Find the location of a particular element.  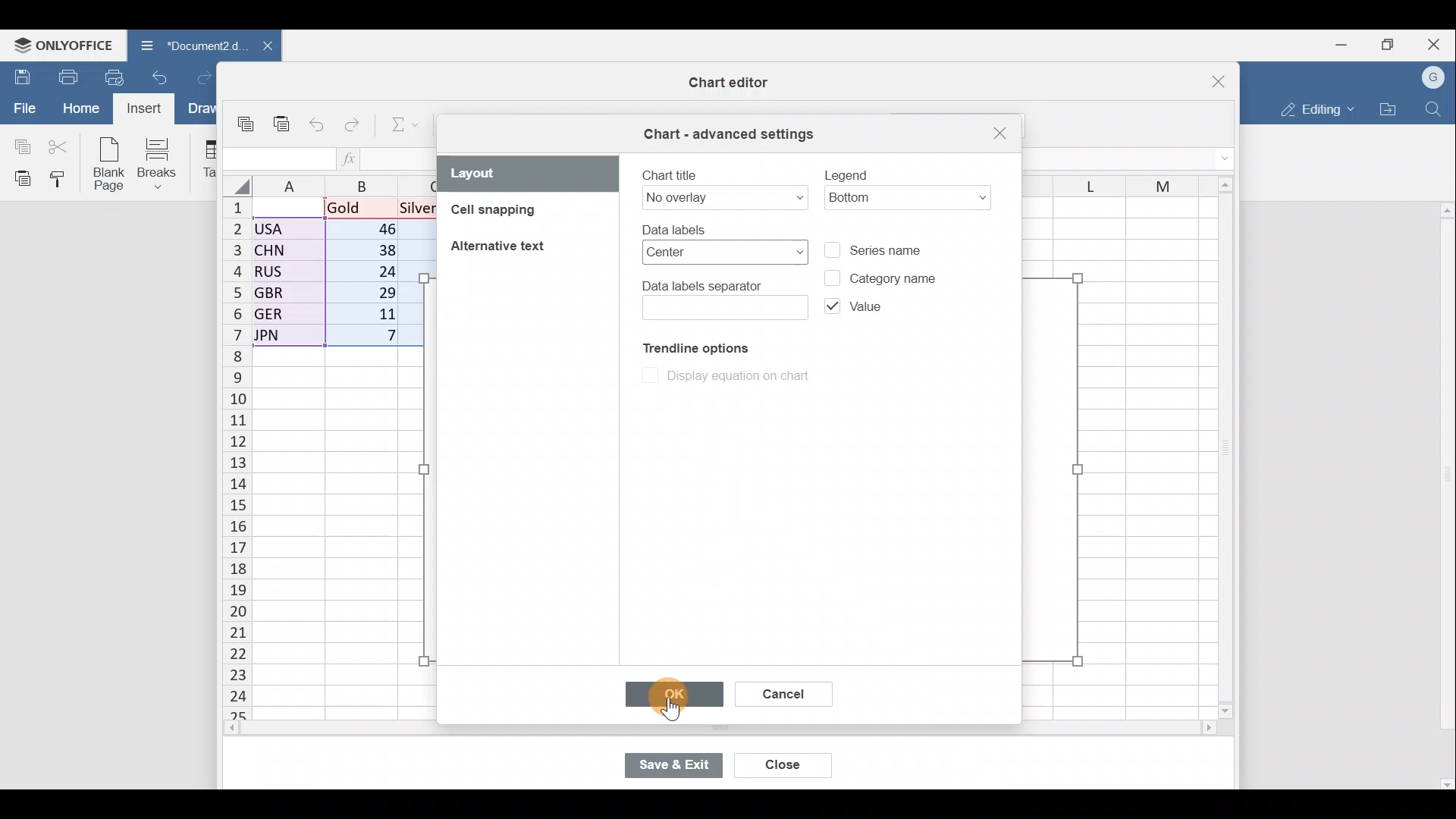

Chart editor is located at coordinates (714, 83).